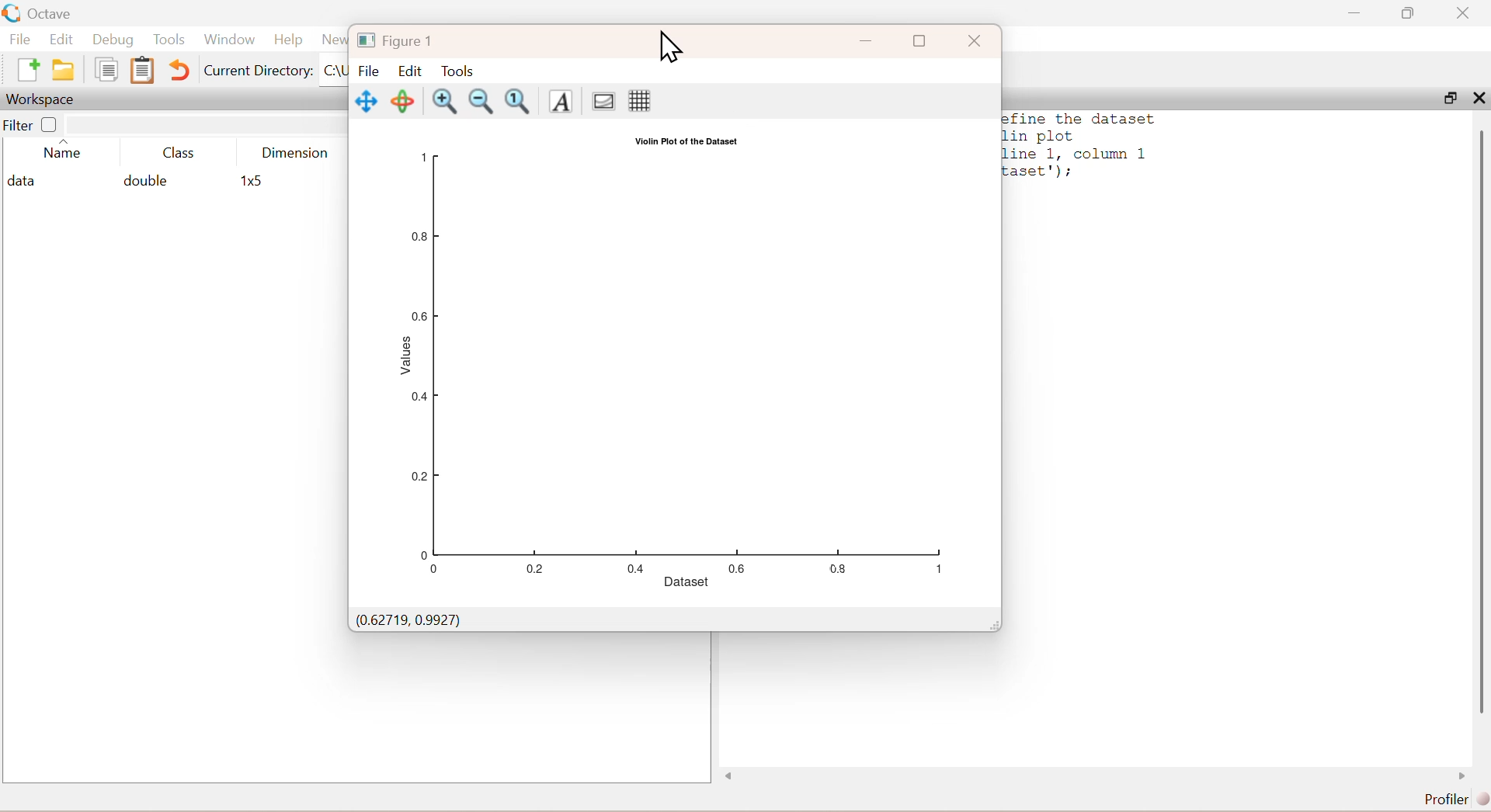 This screenshot has width=1491, height=812. I want to click on Automatically adjust axis , so click(520, 102).